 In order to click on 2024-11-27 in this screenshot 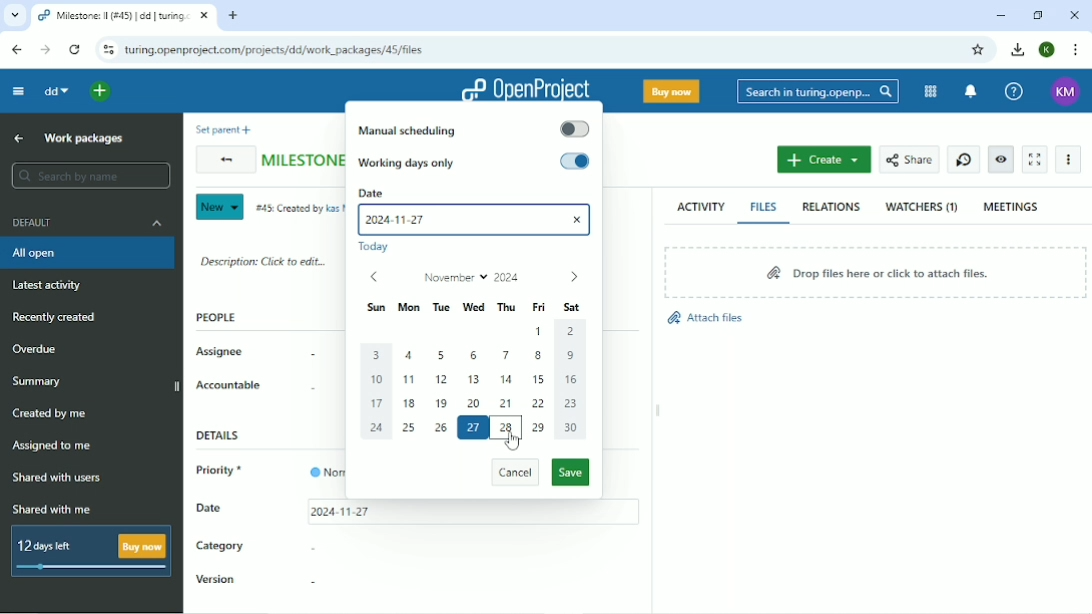, I will do `click(406, 221)`.